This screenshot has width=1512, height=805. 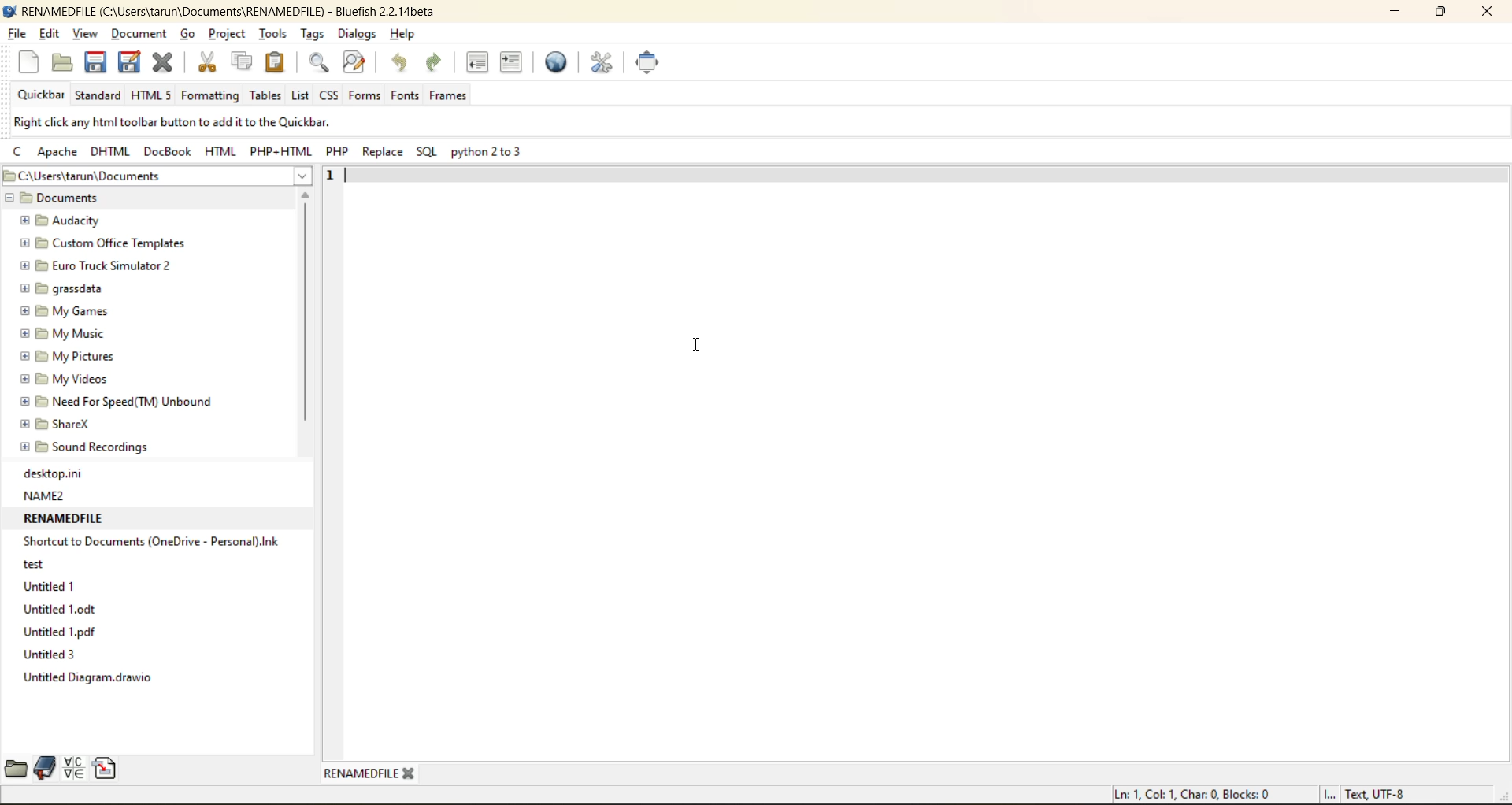 What do you see at coordinates (168, 62) in the screenshot?
I see `close file` at bounding box center [168, 62].